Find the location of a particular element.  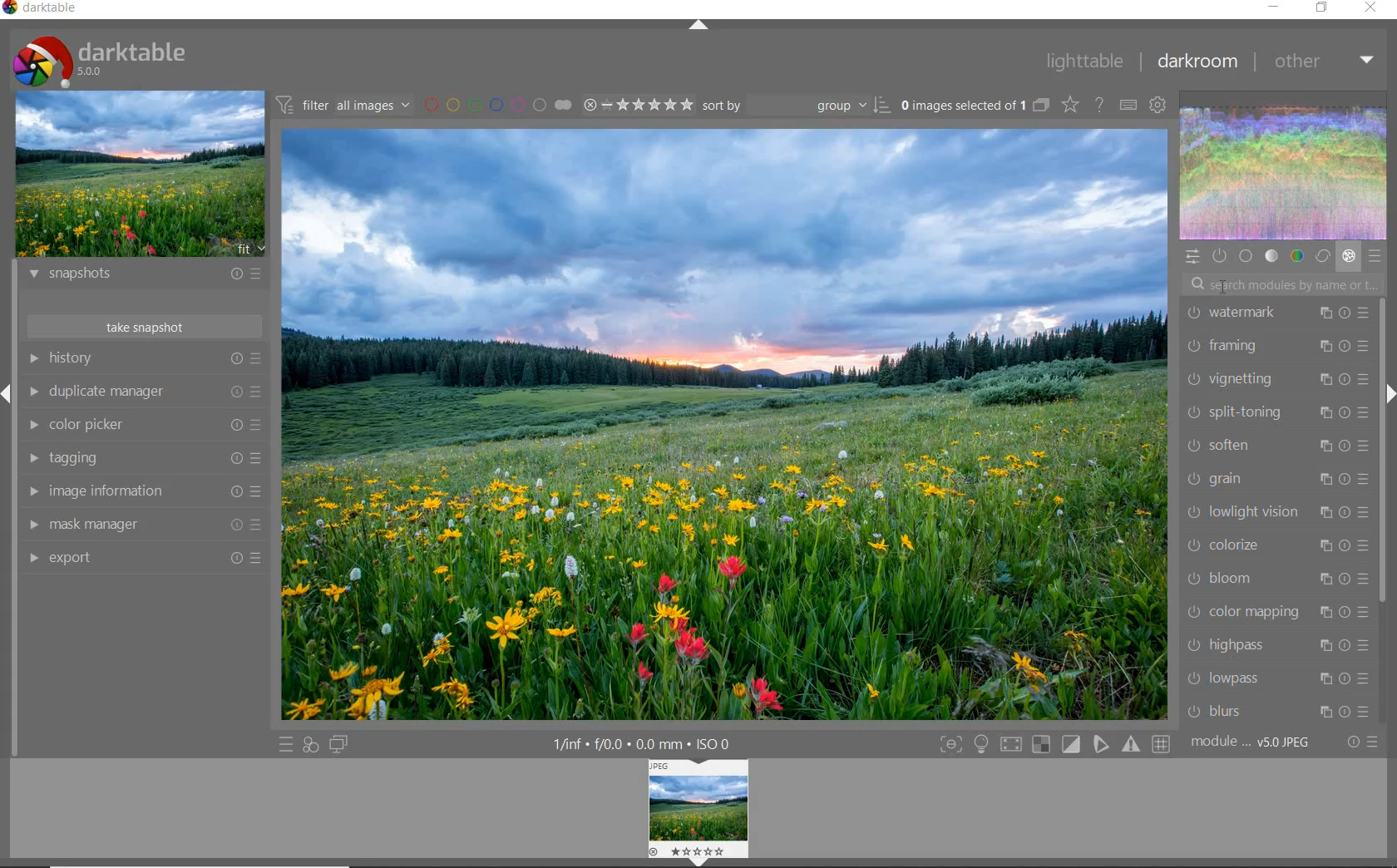

cursor is located at coordinates (1225, 287).